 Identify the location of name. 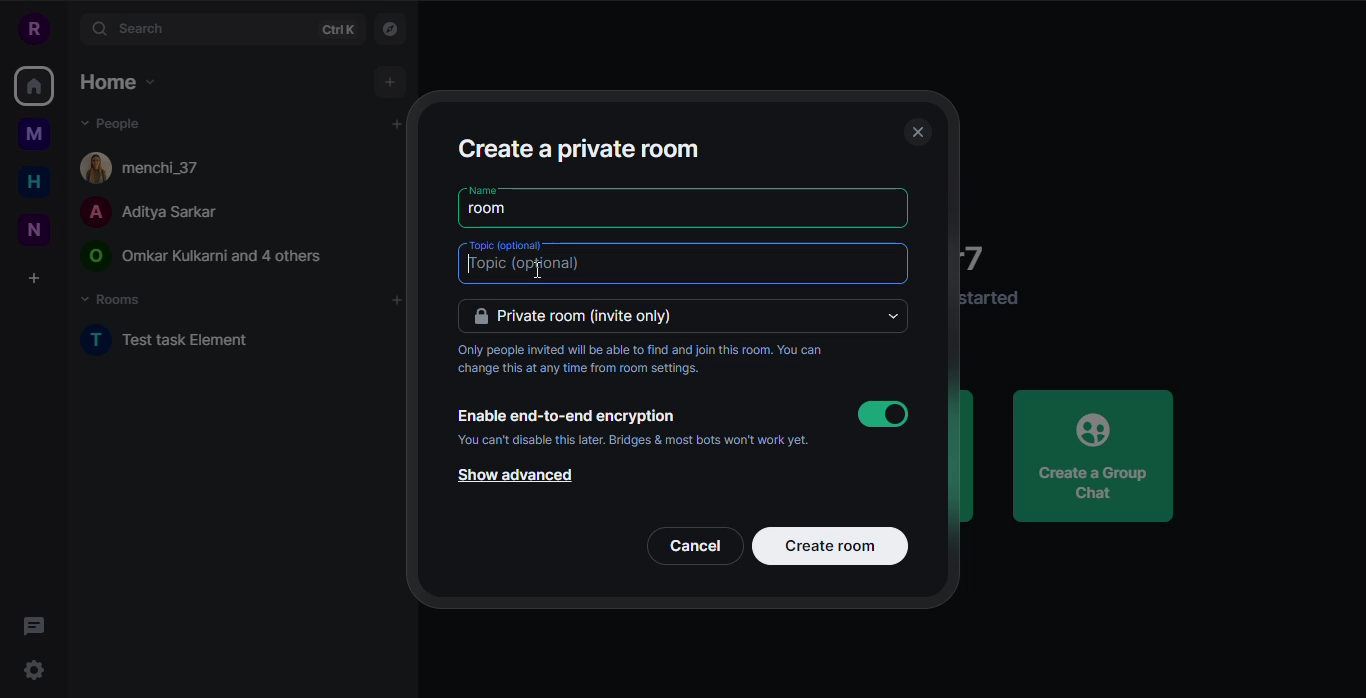
(482, 189).